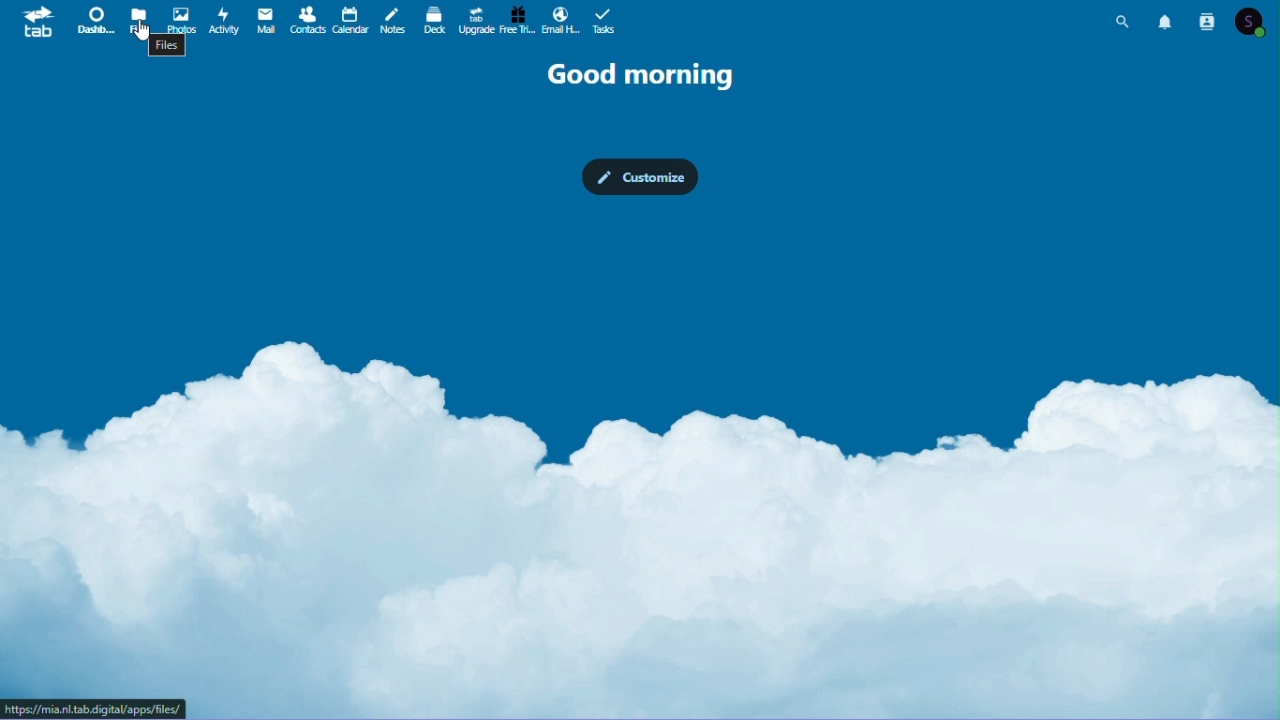 Image resolution: width=1280 pixels, height=720 pixels. I want to click on tasks, so click(605, 21).